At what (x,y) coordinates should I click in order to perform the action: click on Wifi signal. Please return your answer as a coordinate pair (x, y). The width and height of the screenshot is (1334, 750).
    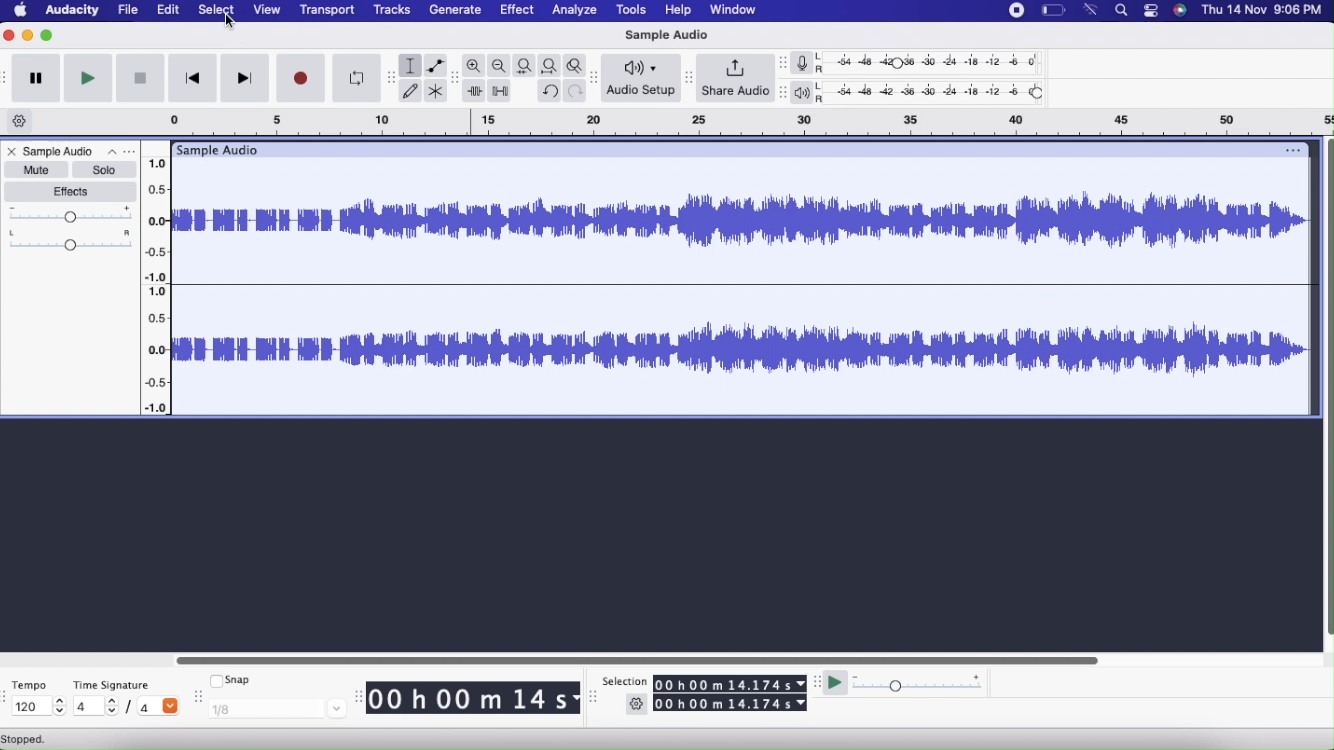
    Looking at the image, I should click on (1093, 11).